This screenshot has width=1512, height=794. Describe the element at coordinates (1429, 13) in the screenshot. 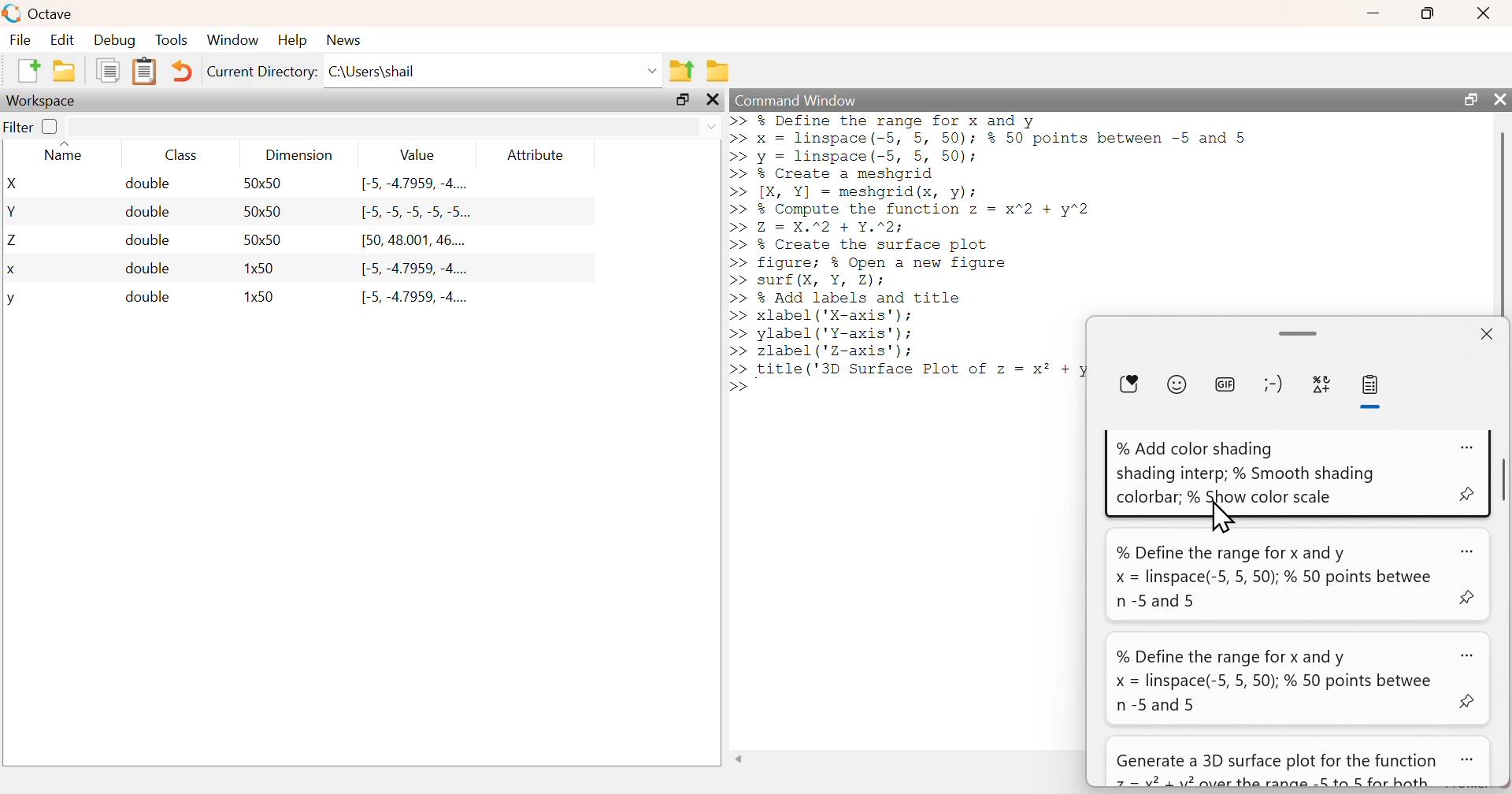

I see `maximize` at that location.